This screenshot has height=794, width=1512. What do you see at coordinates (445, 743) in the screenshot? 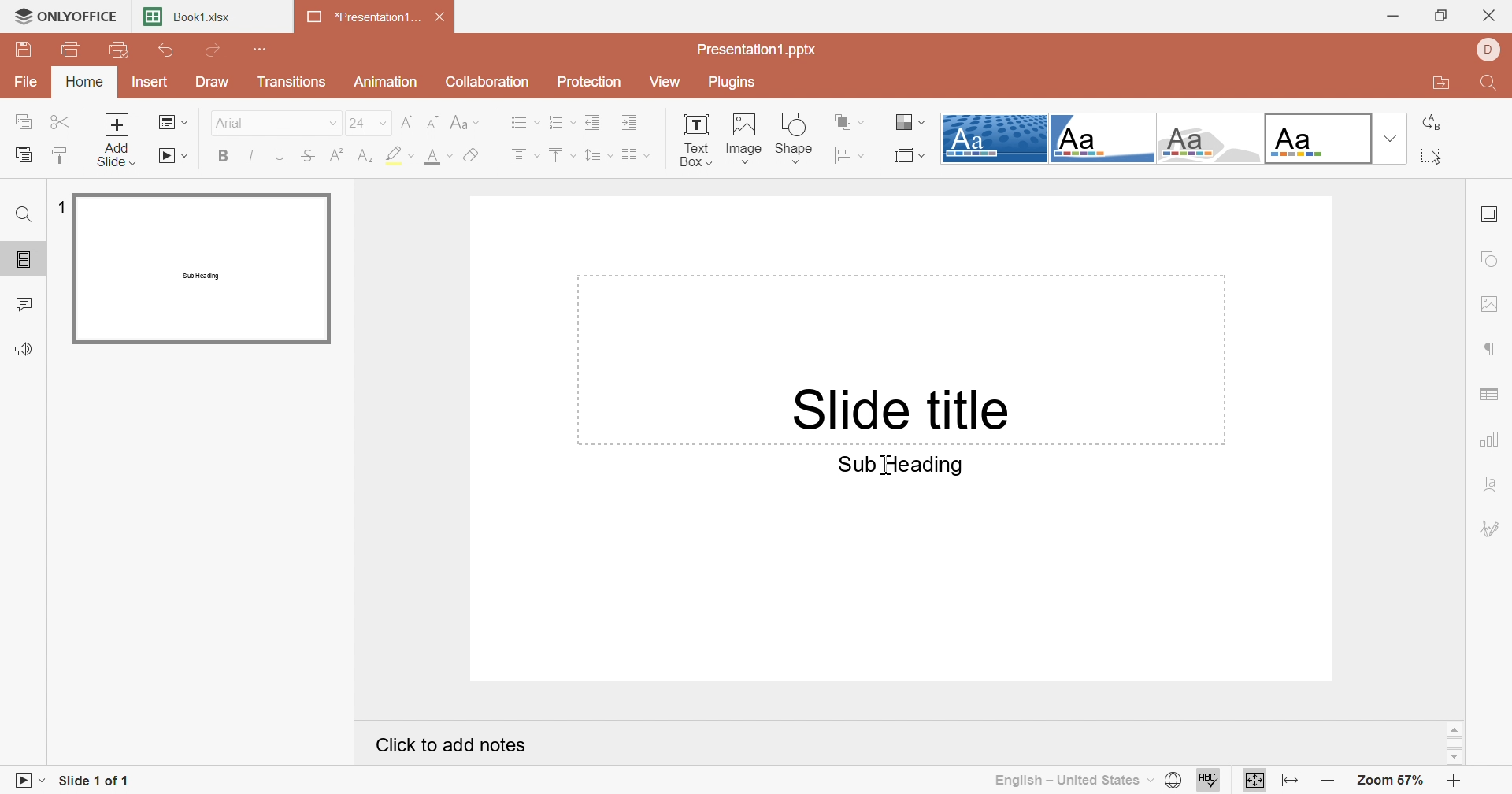
I see `Click to add notes` at bounding box center [445, 743].